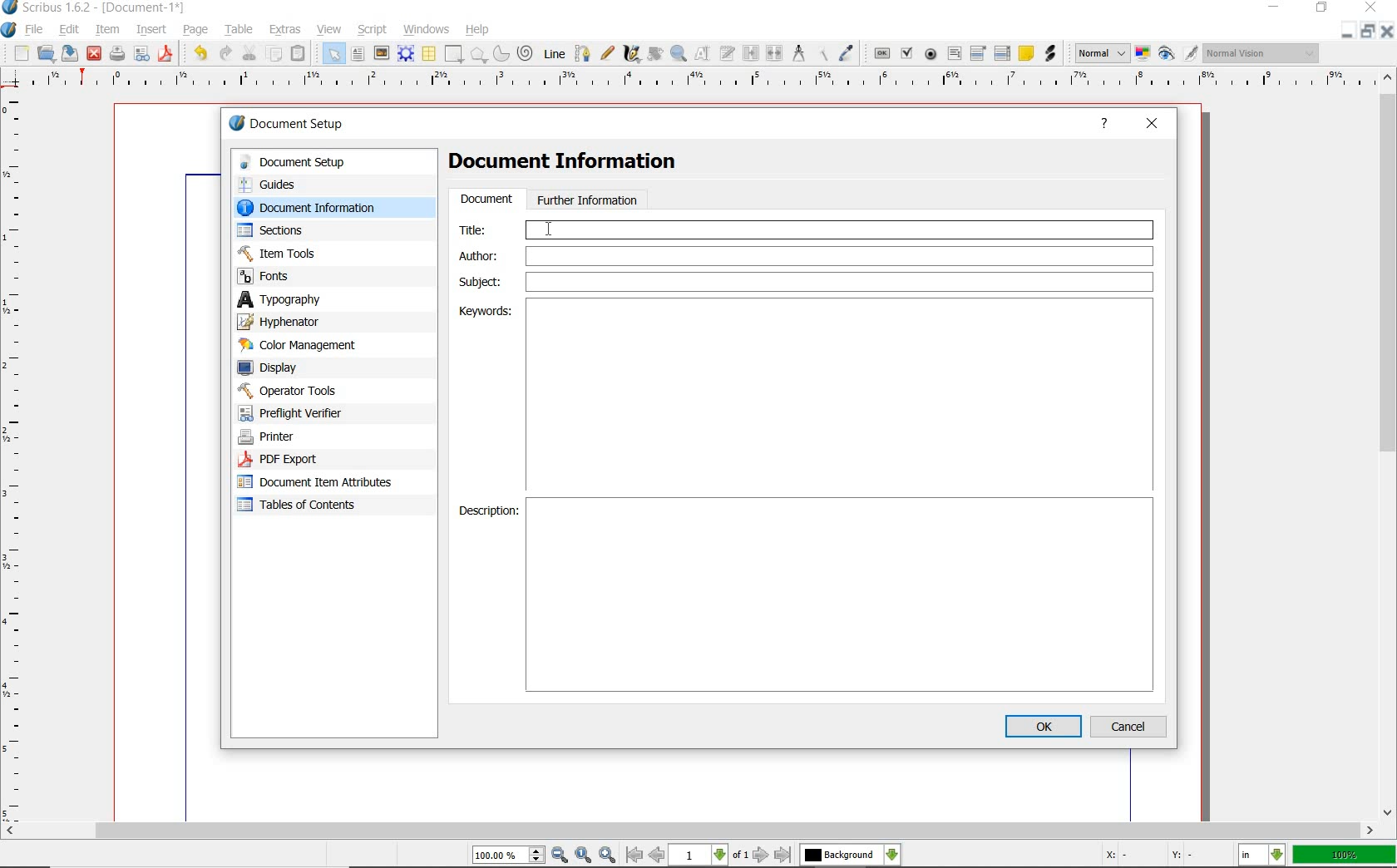 This screenshot has width=1397, height=868. What do you see at coordinates (847, 52) in the screenshot?
I see `eye dropper` at bounding box center [847, 52].